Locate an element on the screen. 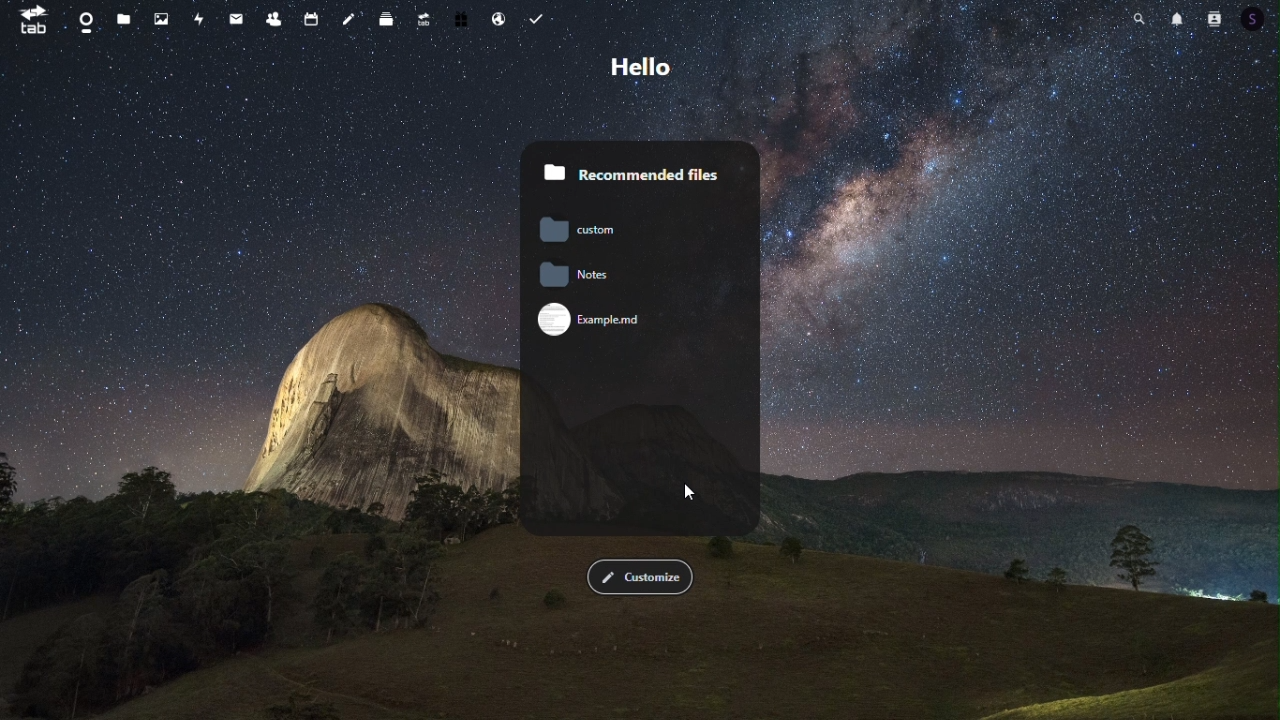 Image resolution: width=1280 pixels, height=720 pixels. notes is located at coordinates (352, 19).